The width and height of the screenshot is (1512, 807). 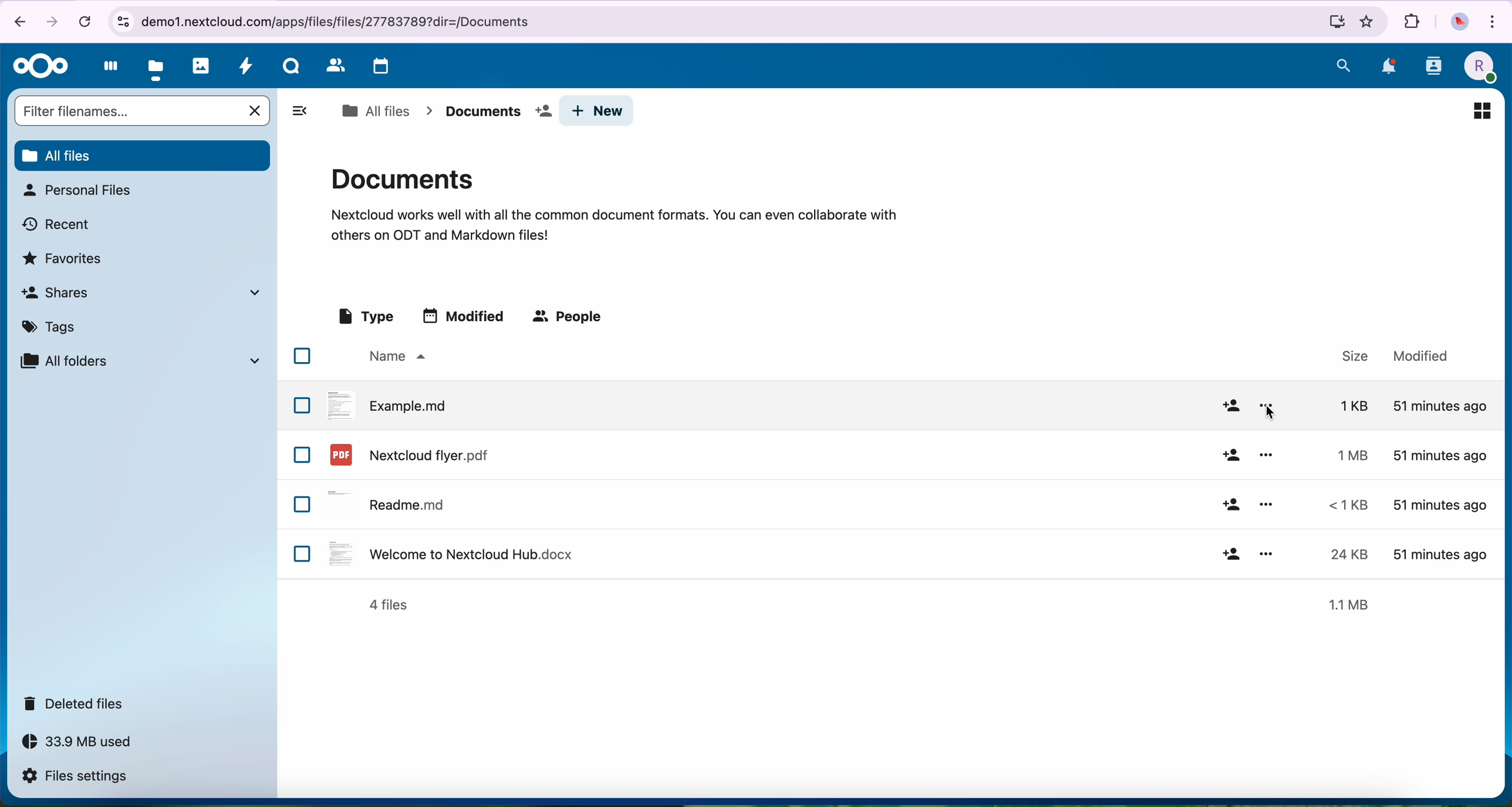 What do you see at coordinates (389, 605) in the screenshot?
I see `4 files` at bounding box center [389, 605].